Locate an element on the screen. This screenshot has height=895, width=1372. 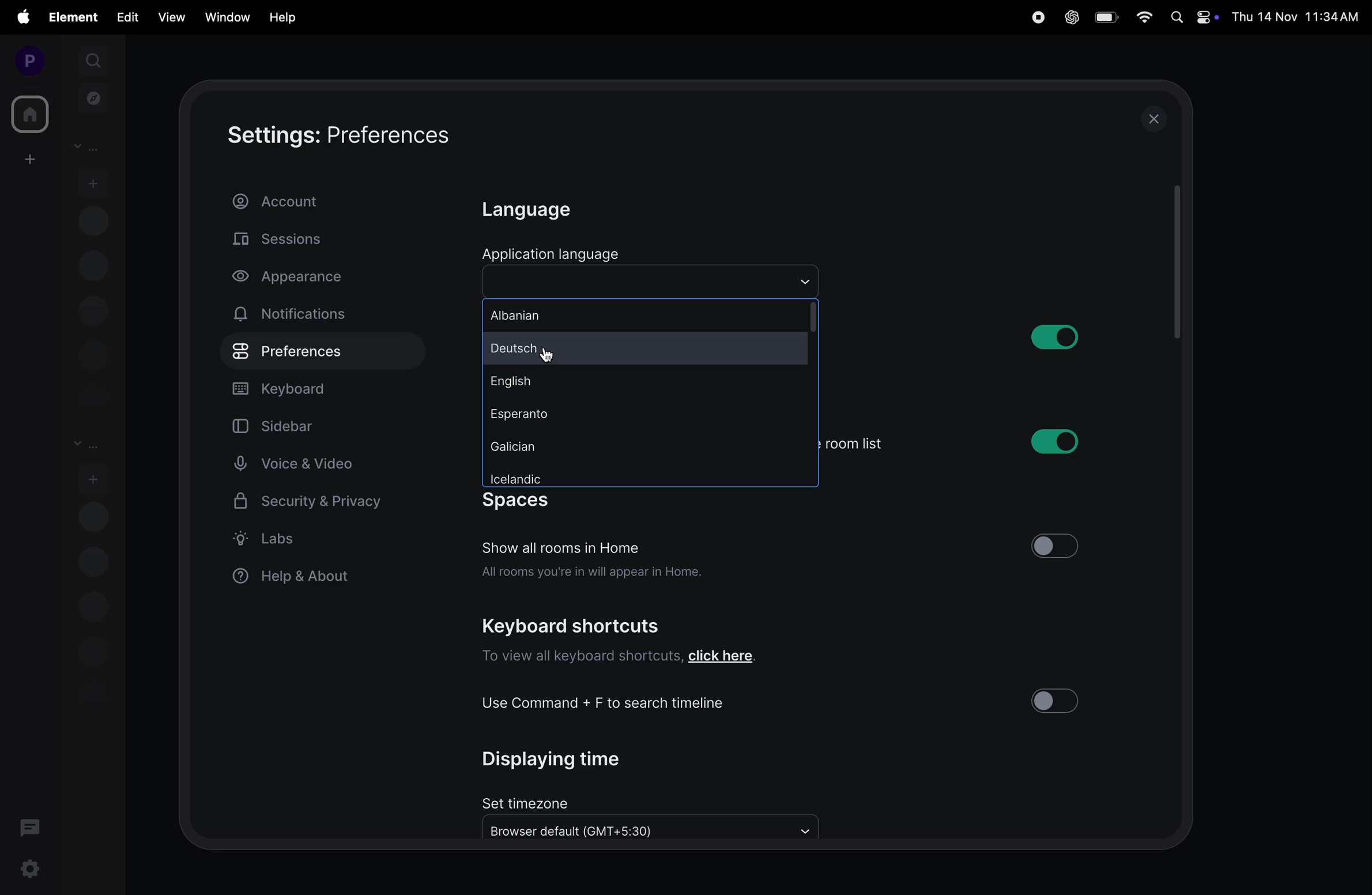
edit is located at coordinates (127, 18).